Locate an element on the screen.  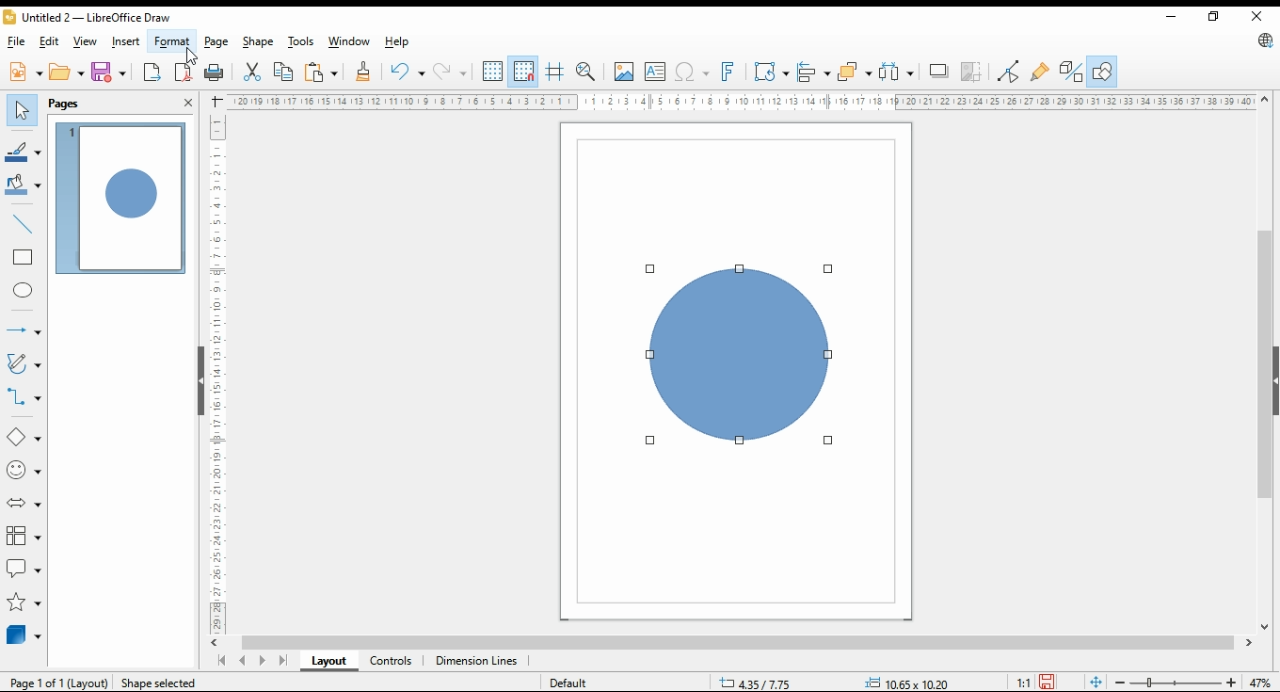
align objects is located at coordinates (813, 73).